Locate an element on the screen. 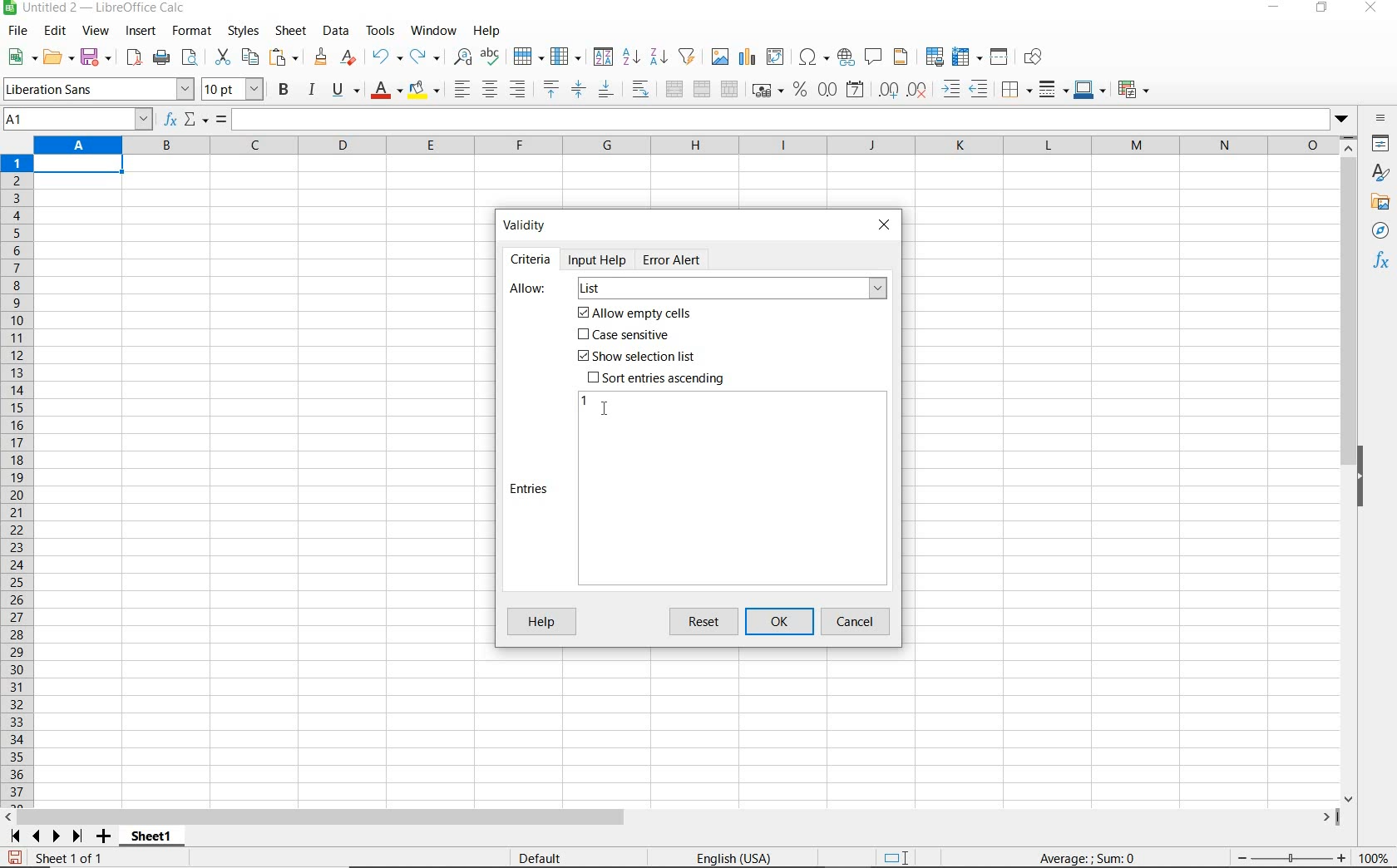  add sheet is located at coordinates (101, 838).